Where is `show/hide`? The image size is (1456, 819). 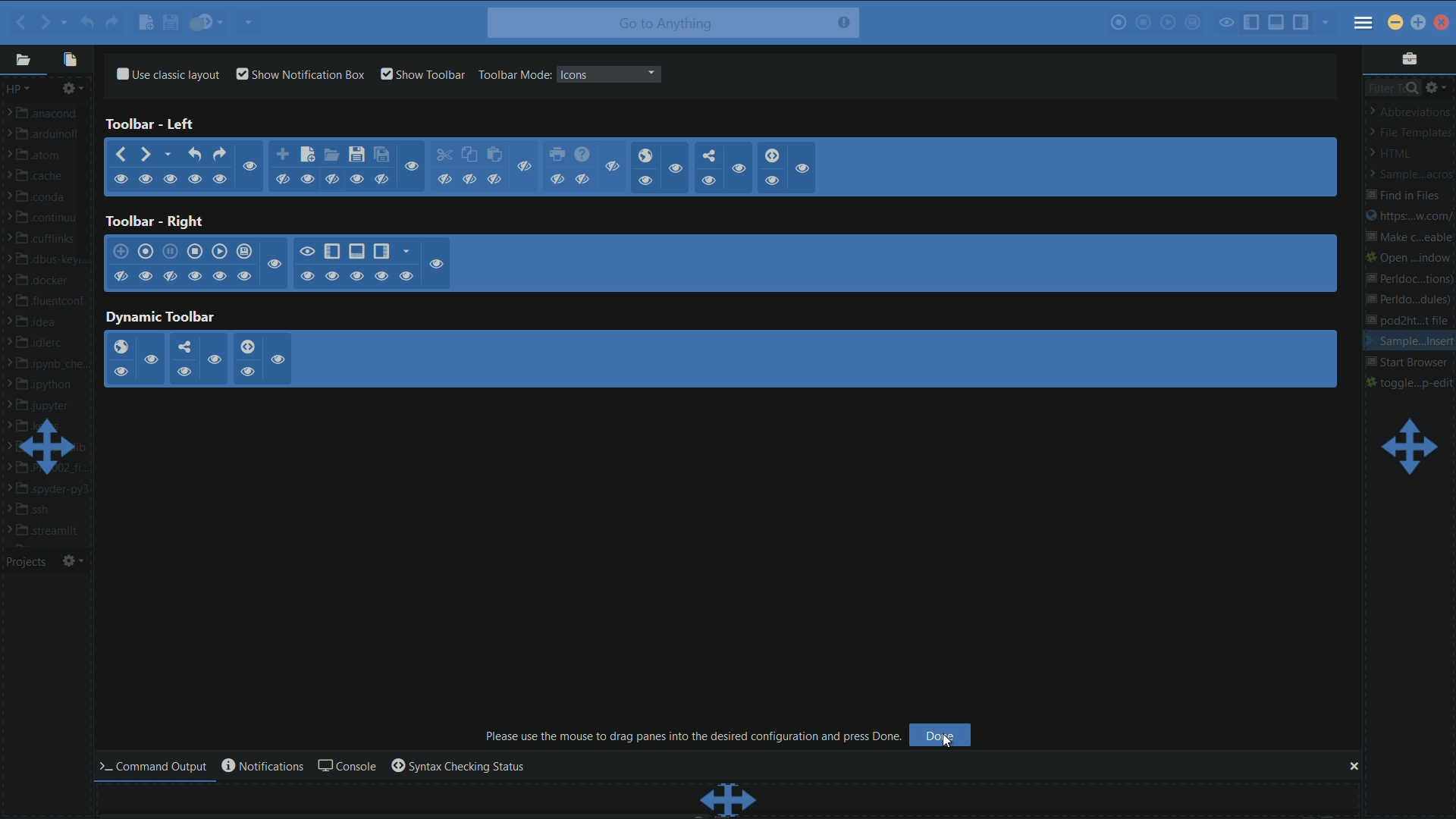
show/hide is located at coordinates (558, 179).